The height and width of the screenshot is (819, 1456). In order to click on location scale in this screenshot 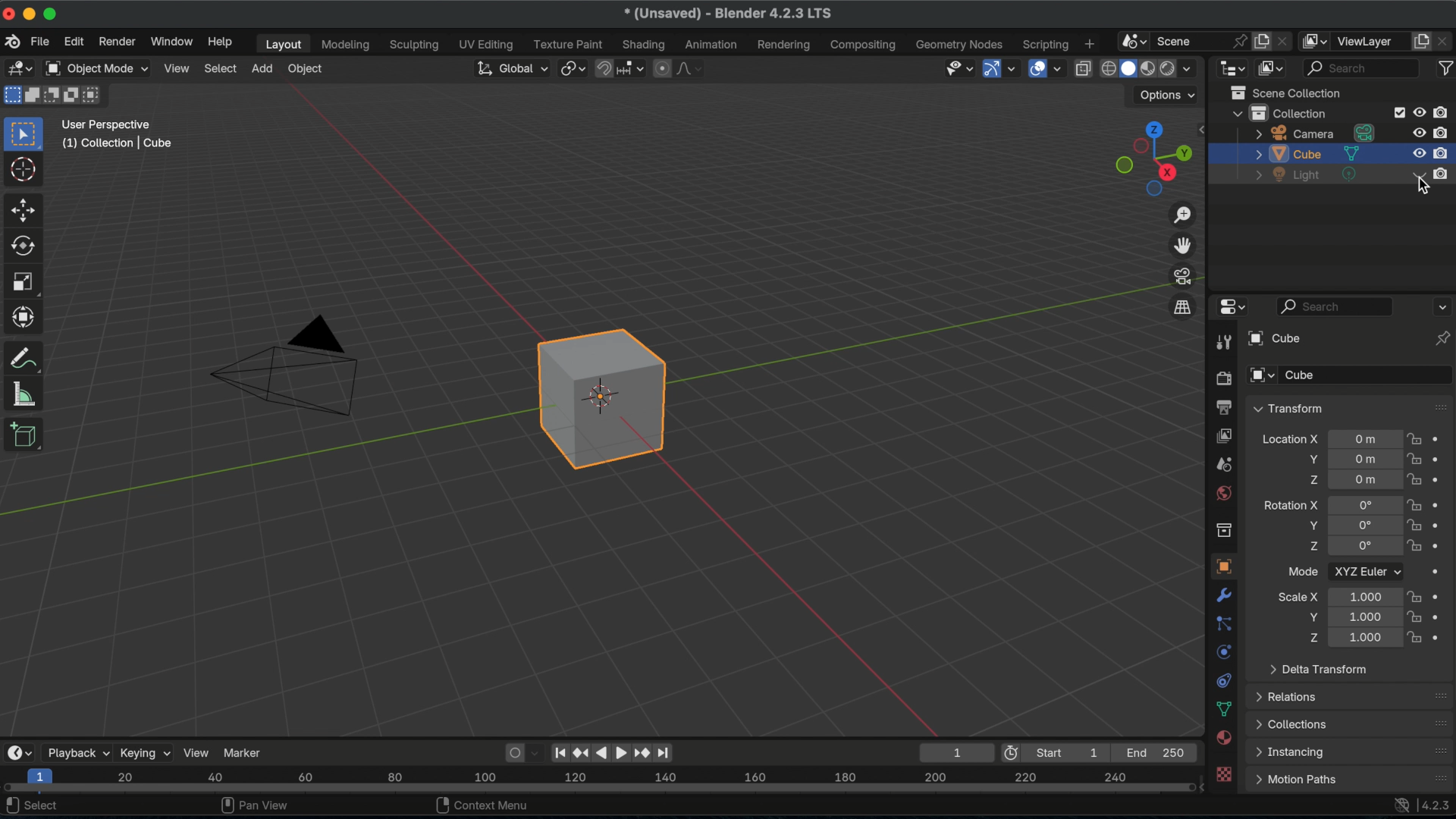, I will do `click(1365, 595)`.